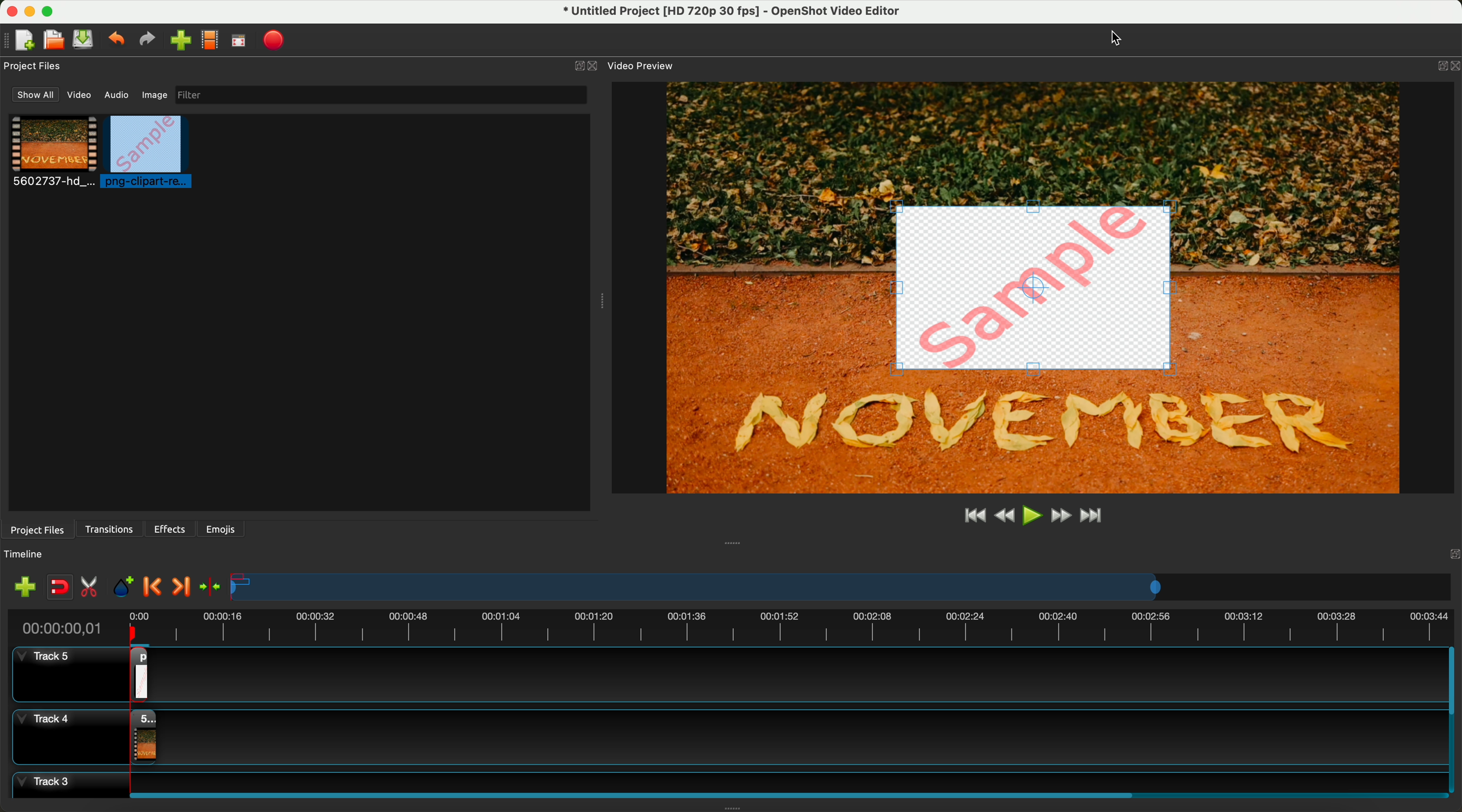 The image size is (1462, 812). Describe the element at coordinates (278, 40) in the screenshot. I see `export video` at that location.